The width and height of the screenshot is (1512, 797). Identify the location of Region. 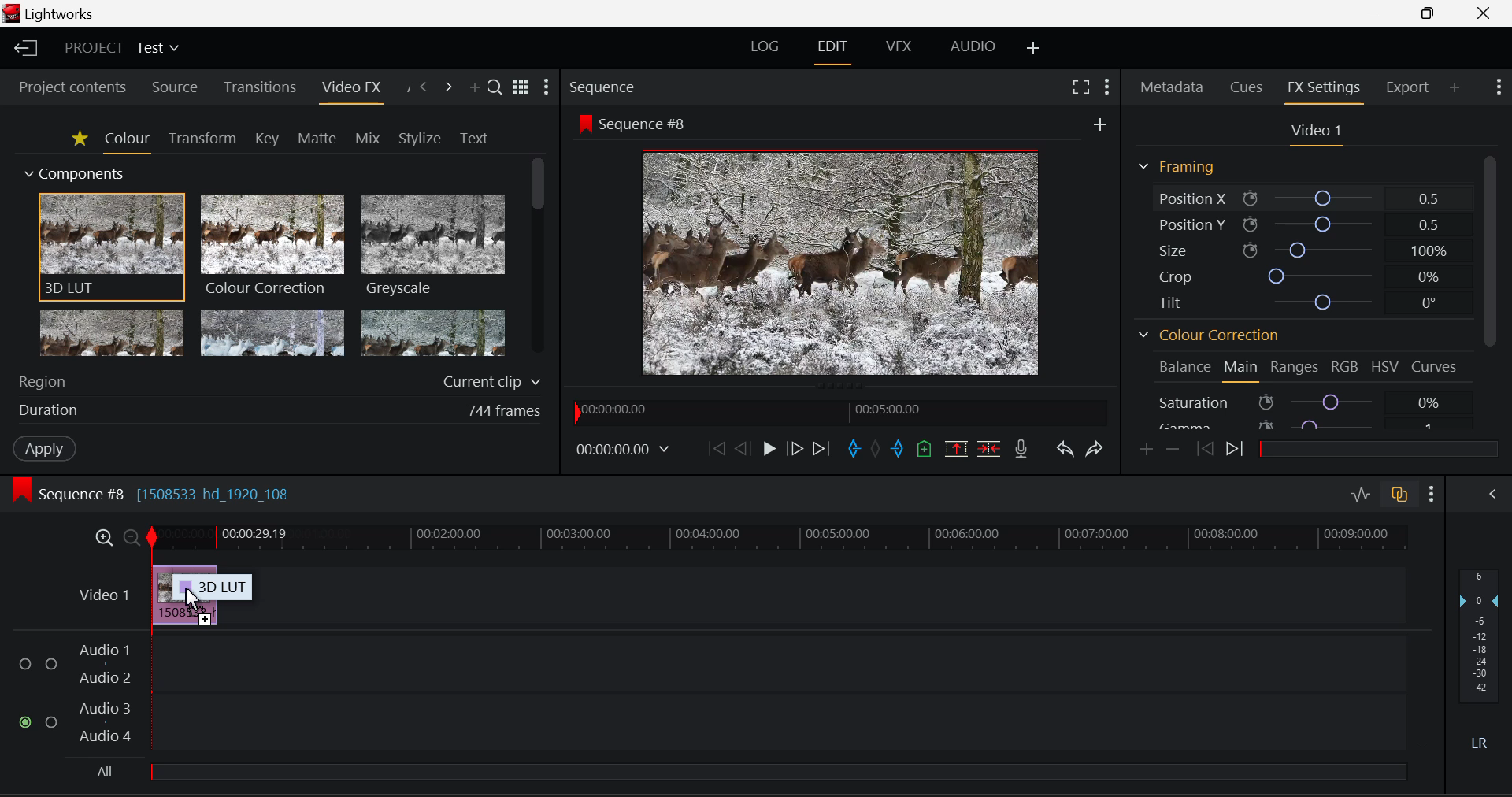
(277, 380).